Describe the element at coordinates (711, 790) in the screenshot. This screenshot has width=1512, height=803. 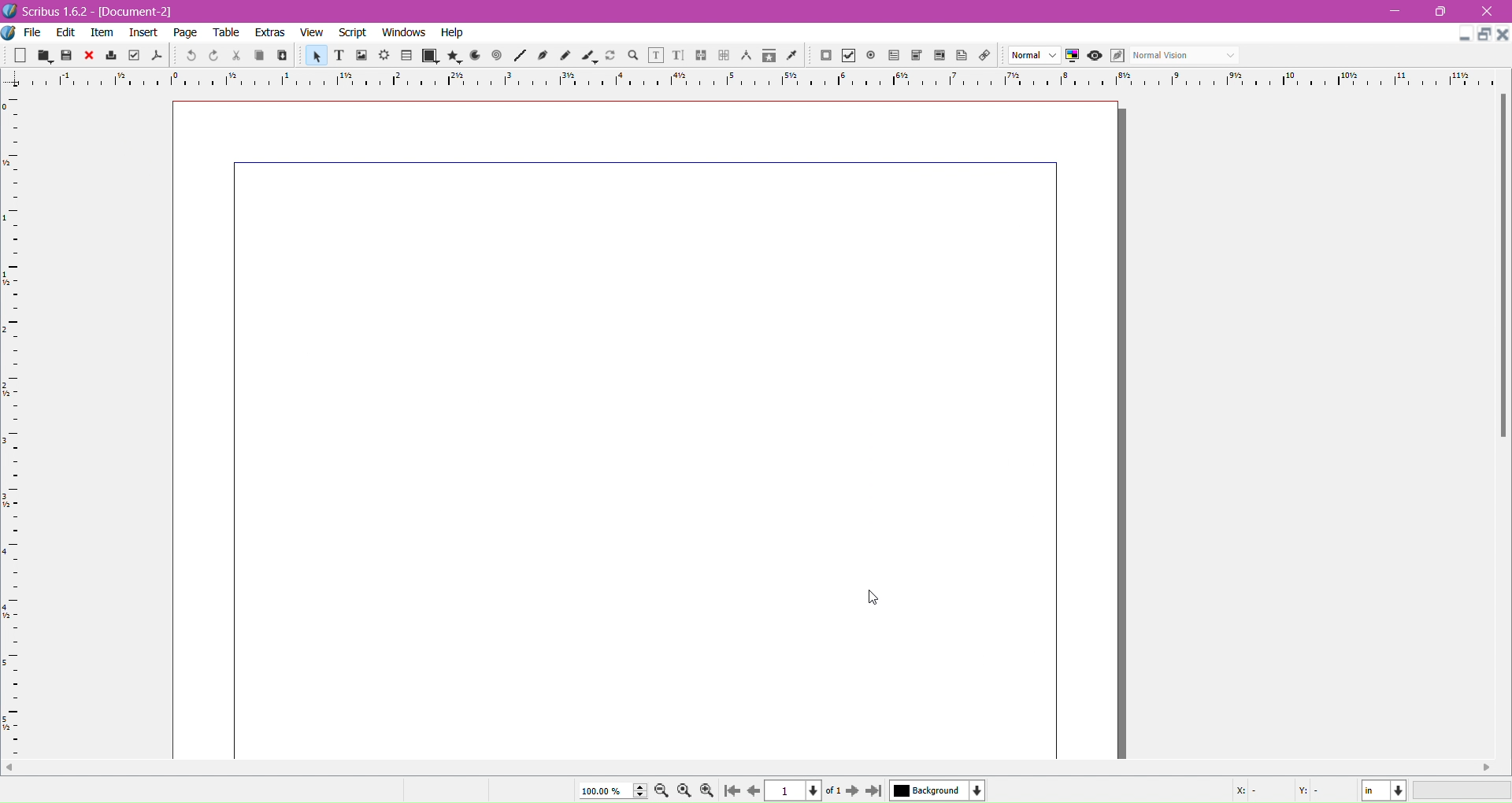
I see `zoom icon` at that location.